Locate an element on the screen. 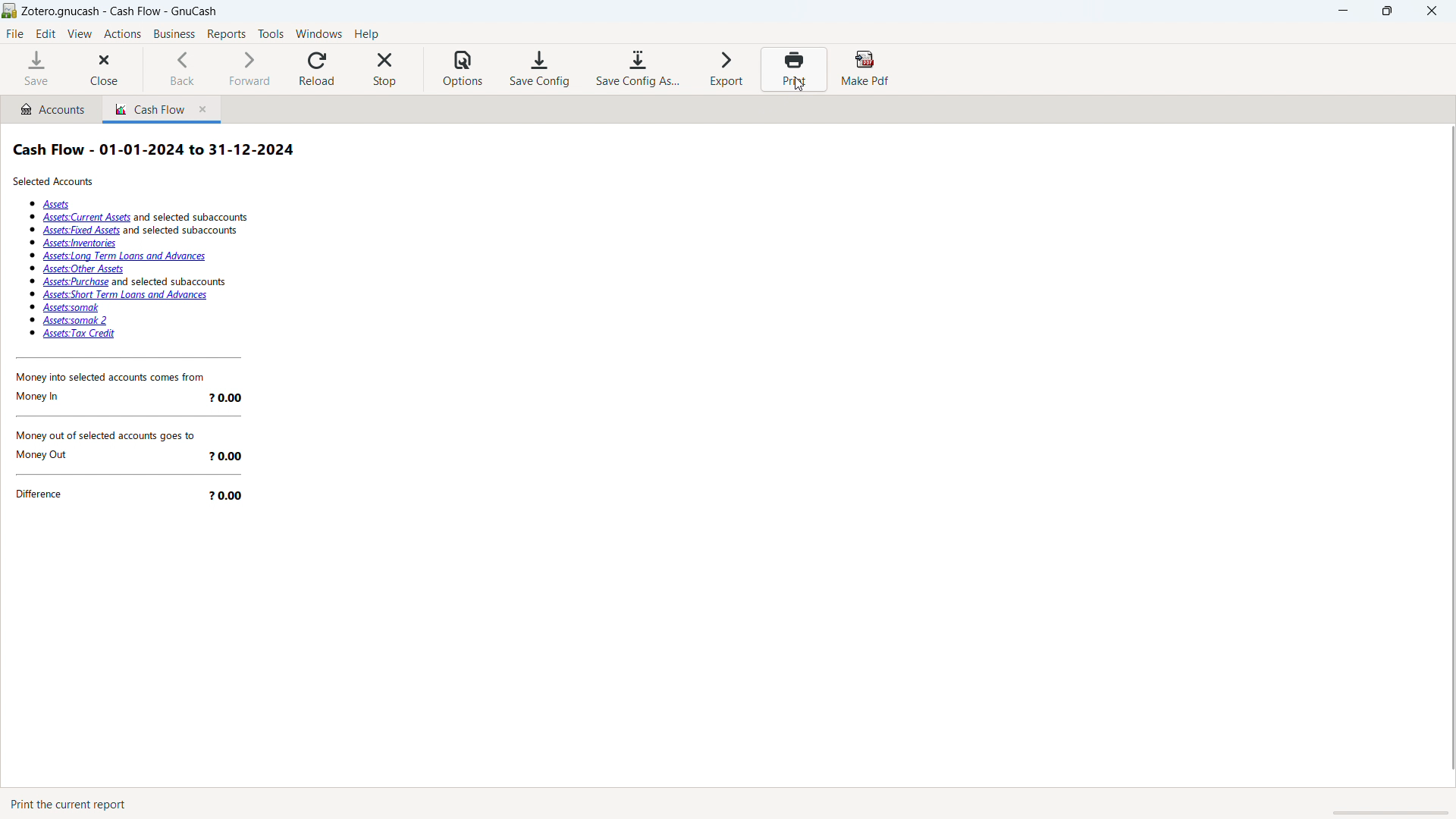 The height and width of the screenshot is (819, 1456). print is located at coordinates (793, 69).